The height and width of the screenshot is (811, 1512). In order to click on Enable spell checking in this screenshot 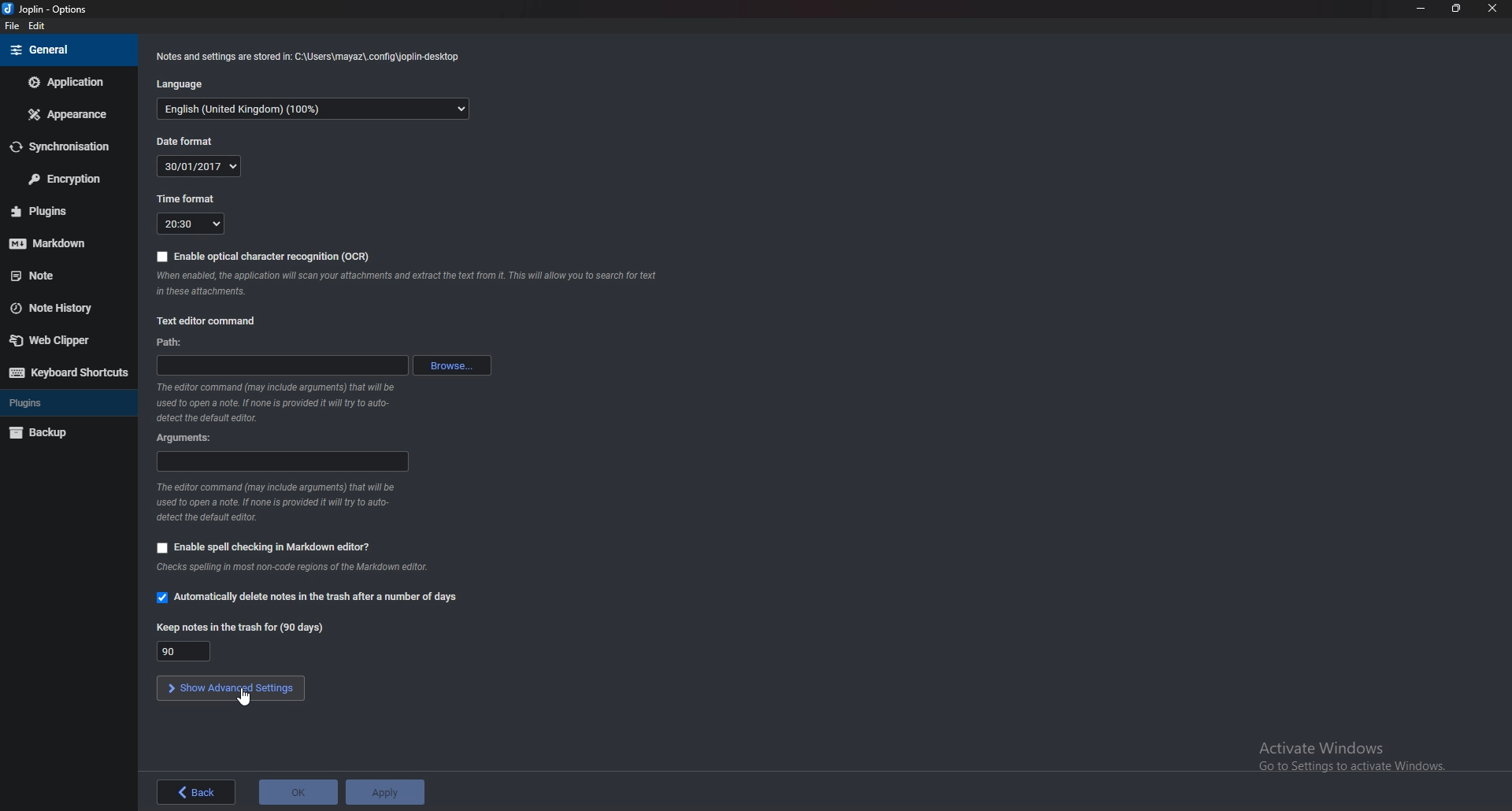, I will do `click(261, 546)`.